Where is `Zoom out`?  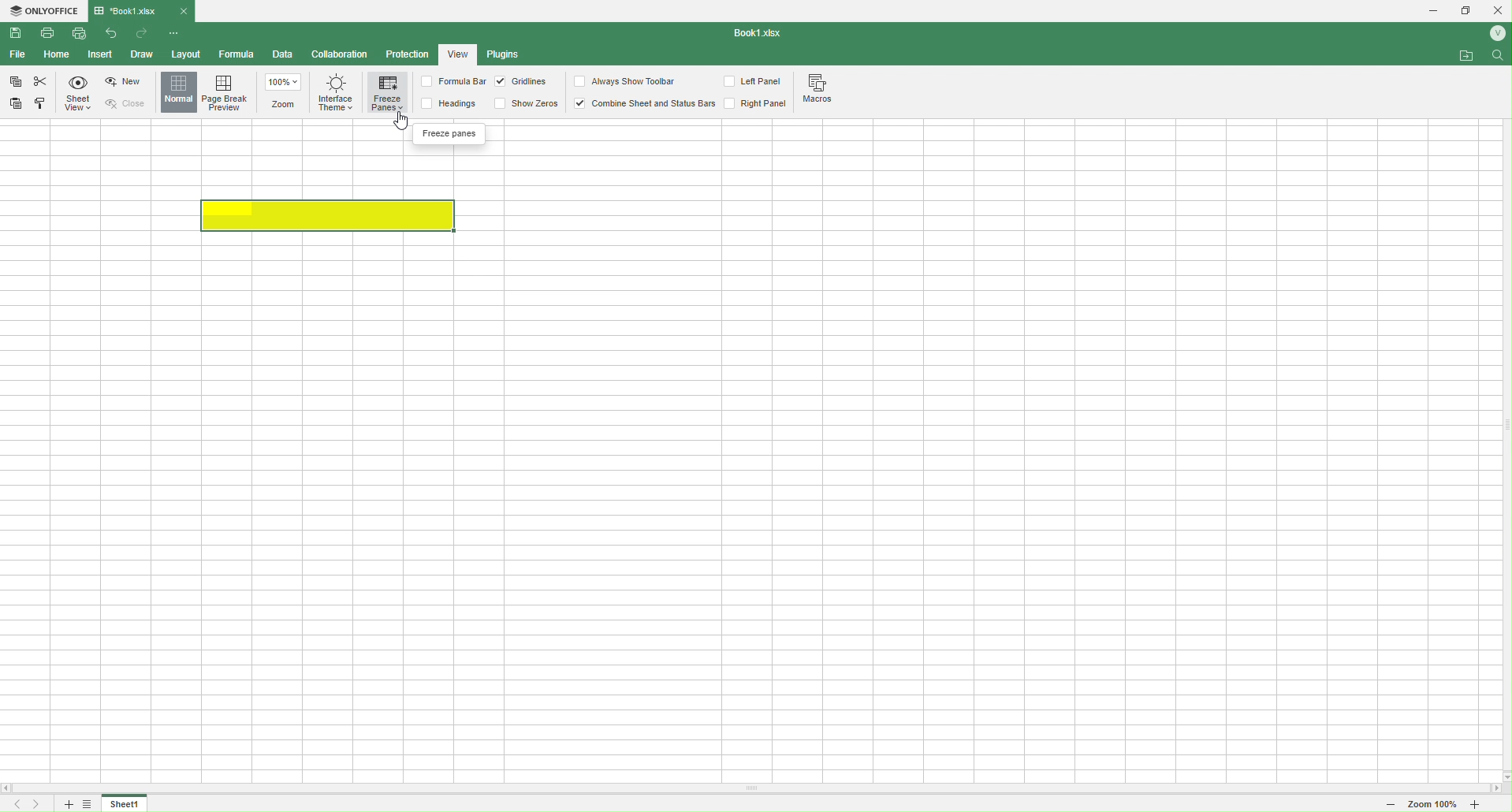 Zoom out is located at coordinates (1384, 805).